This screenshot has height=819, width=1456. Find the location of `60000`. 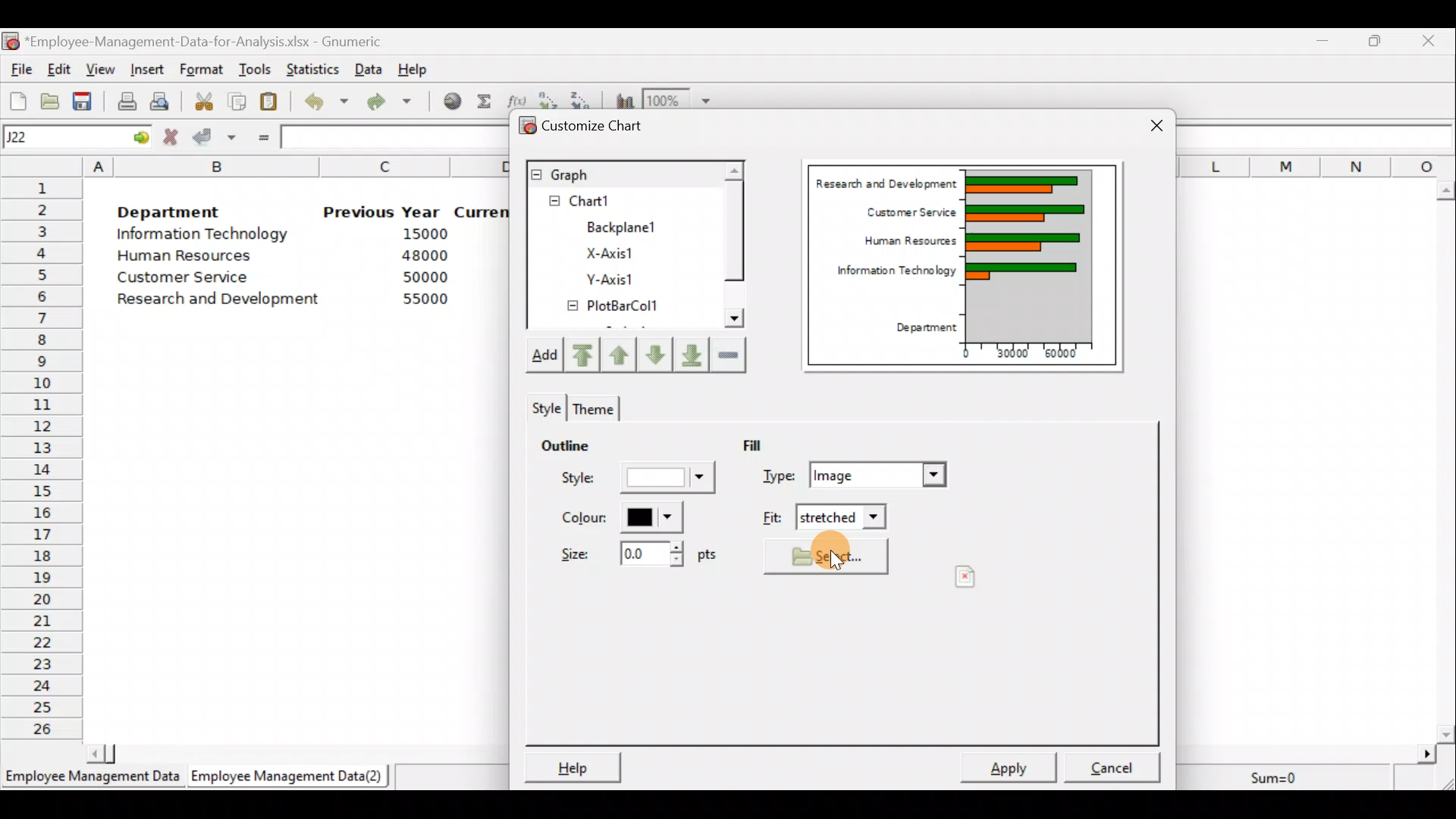

60000 is located at coordinates (1060, 354).